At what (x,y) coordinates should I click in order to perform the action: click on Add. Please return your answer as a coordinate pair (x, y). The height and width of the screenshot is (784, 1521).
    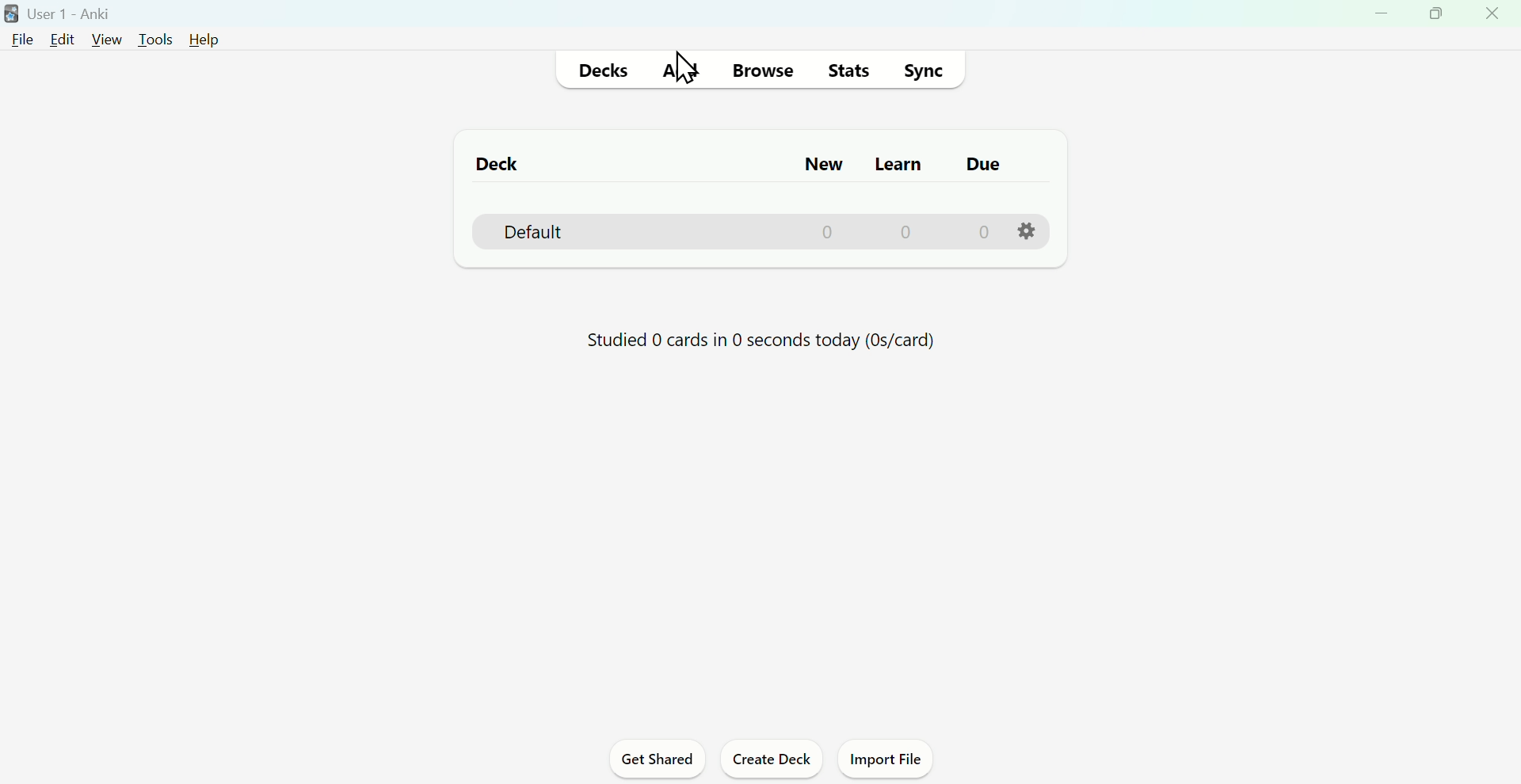
    Looking at the image, I should click on (679, 68).